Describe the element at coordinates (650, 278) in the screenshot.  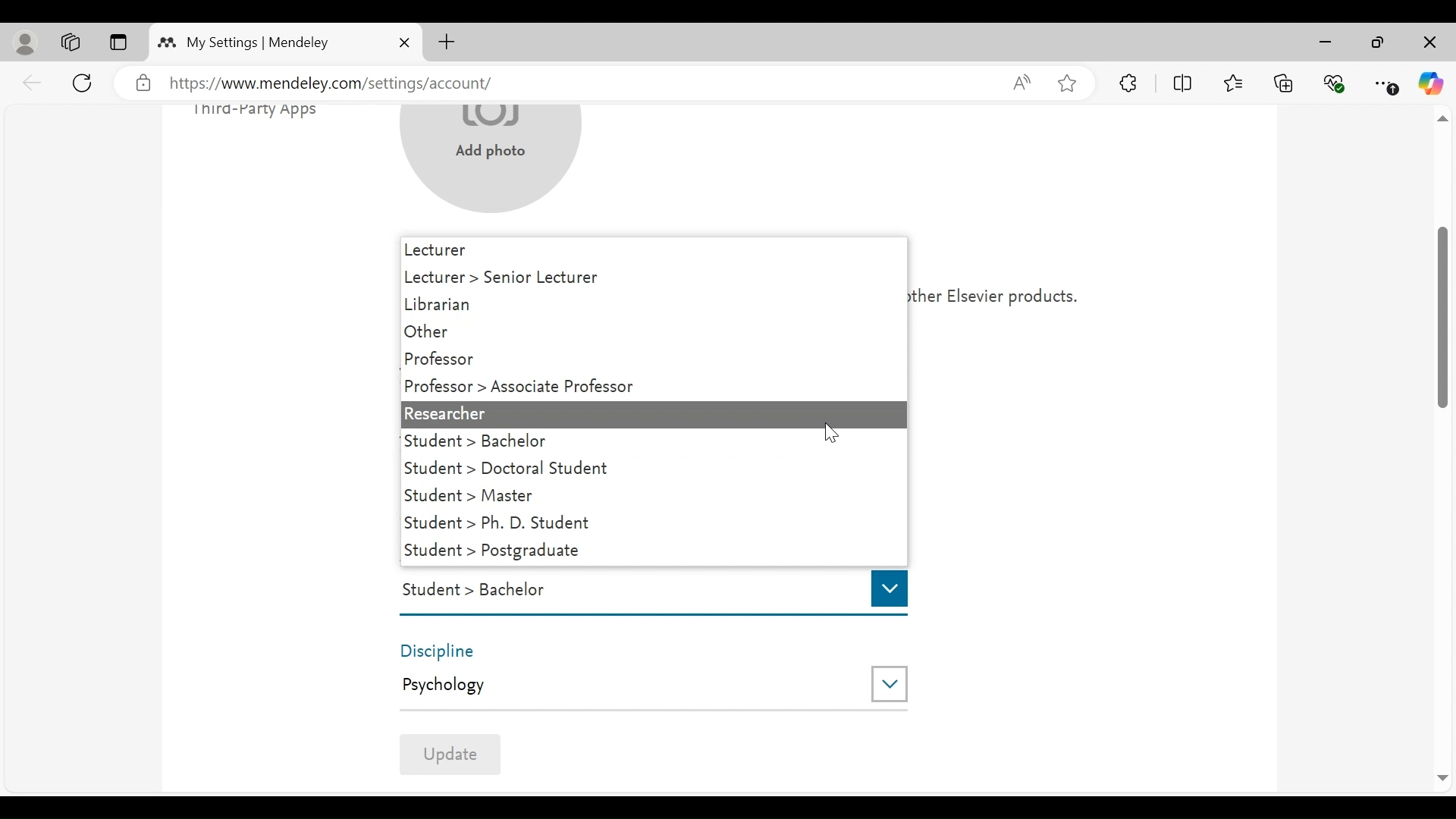
I see `Lecture > Senior Lecture` at that location.